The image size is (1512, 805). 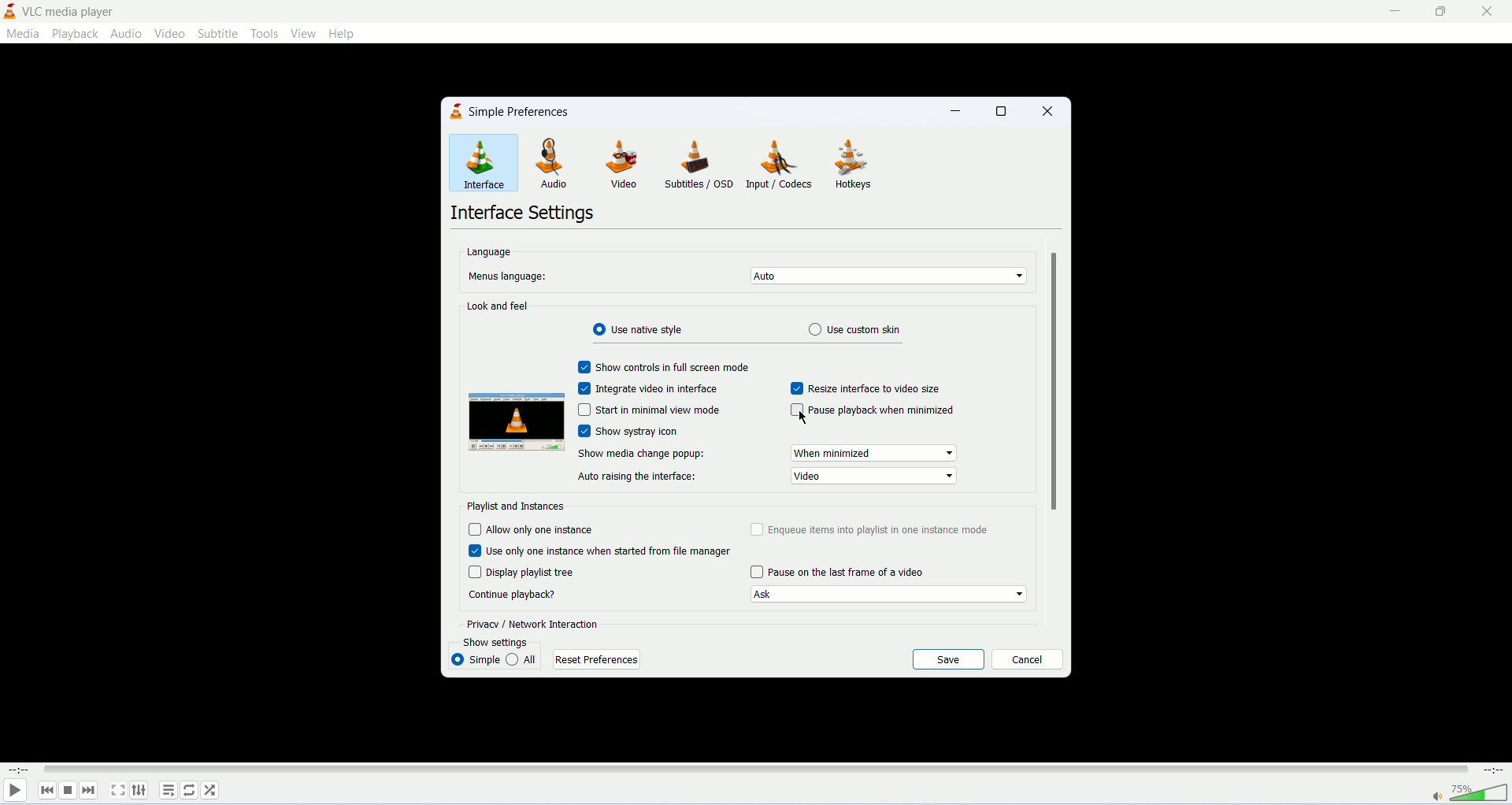 I want to click on shuffle, so click(x=212, y=788).